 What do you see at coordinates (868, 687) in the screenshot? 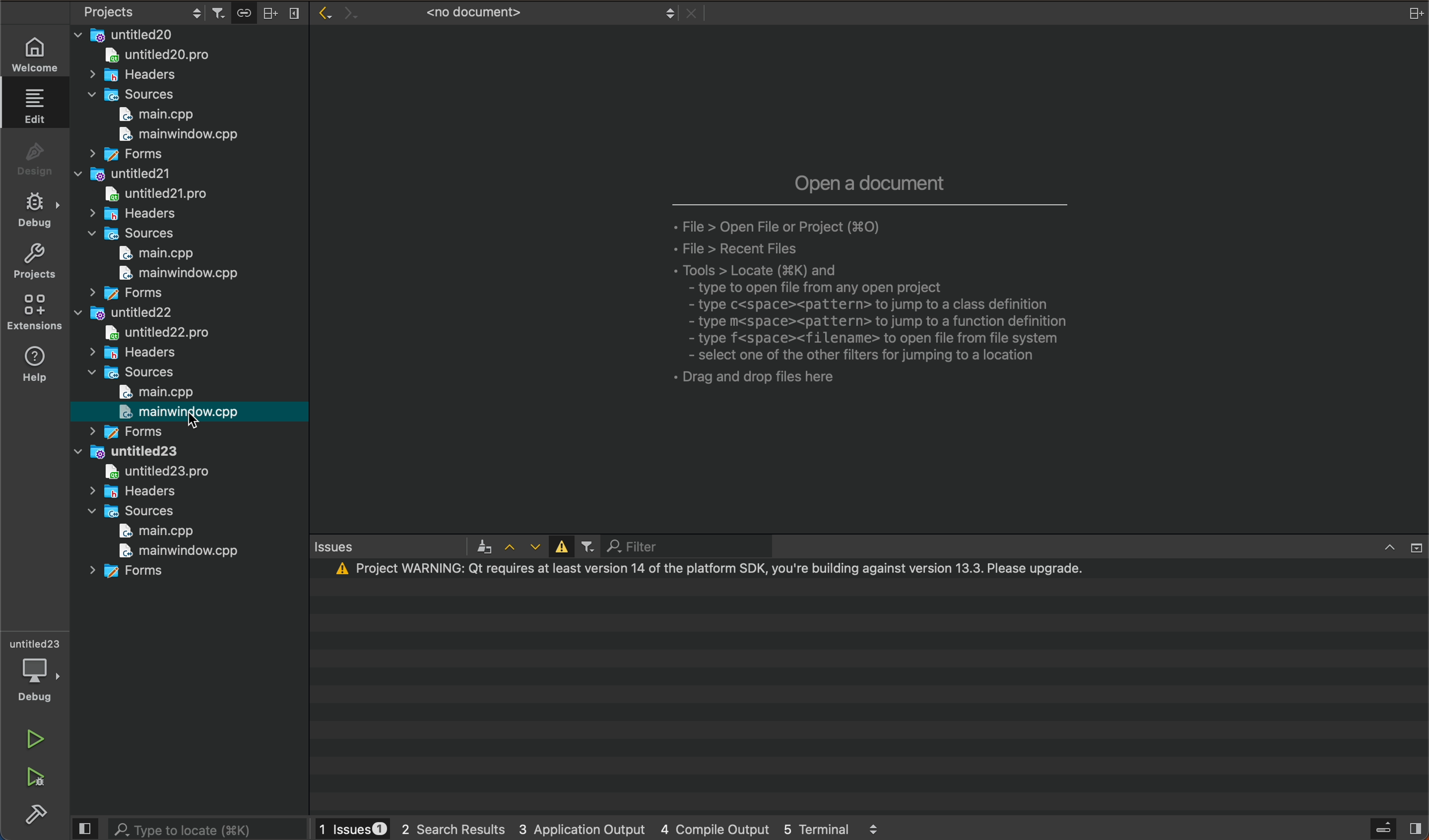
I see `terminal` at bounding box center [868, 687].